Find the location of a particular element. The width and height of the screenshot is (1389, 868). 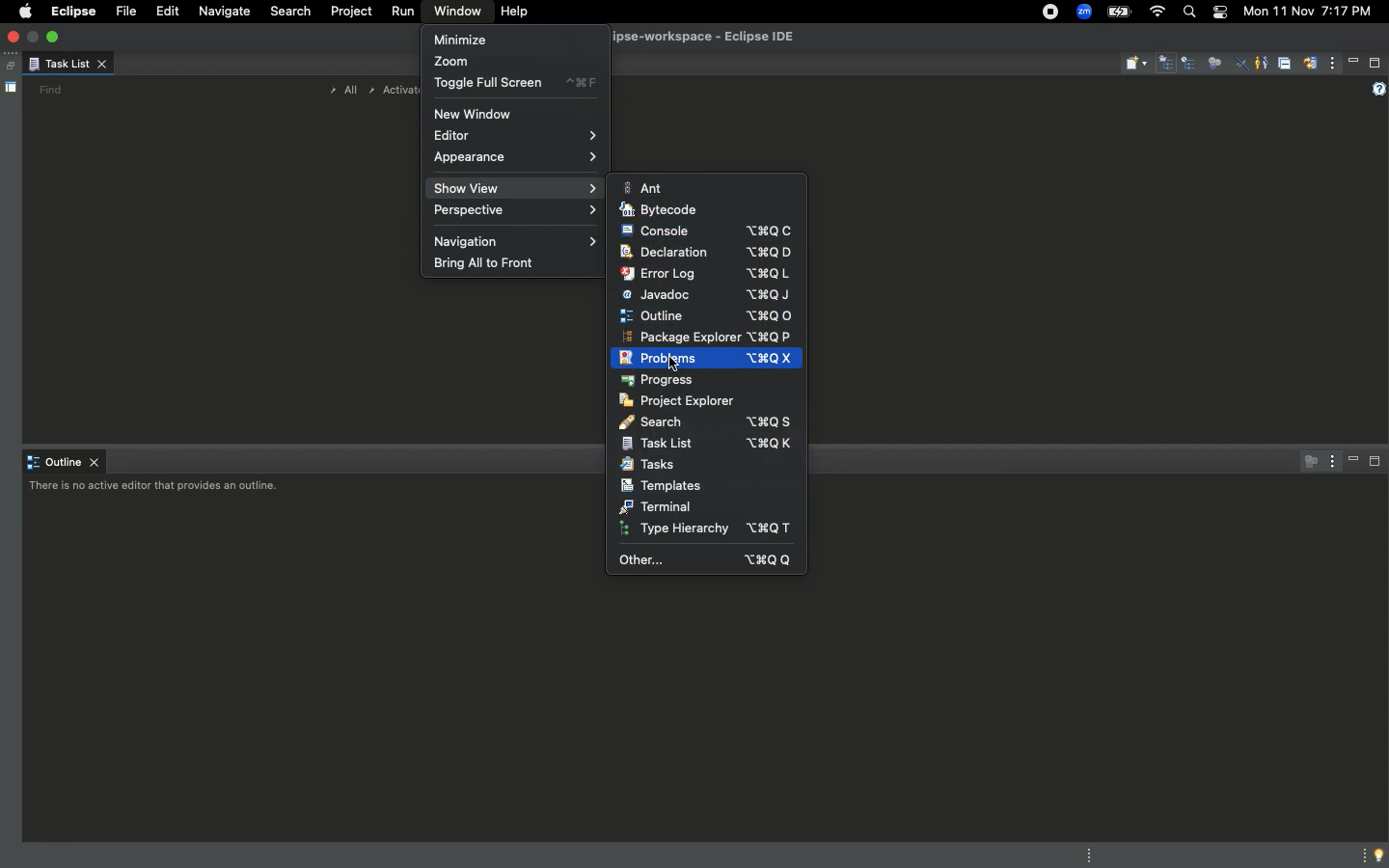

Navigate is located at coordinates (225, 14).